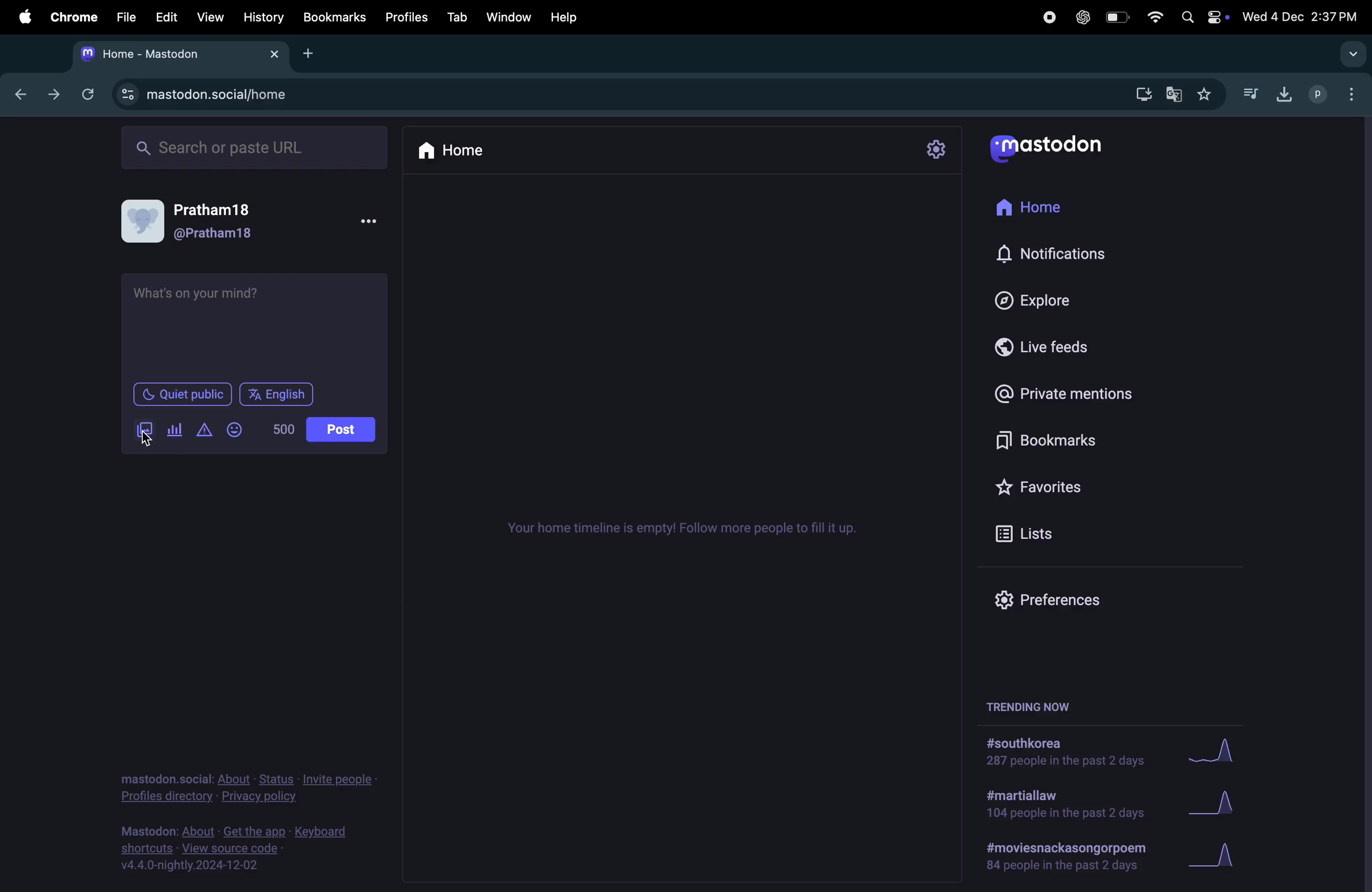 The height and width of the screenshot is (892, 1372). Describe the element at coordinates (1071, 855) in the screenshot. I see `#moviessnackand poem` at that location.